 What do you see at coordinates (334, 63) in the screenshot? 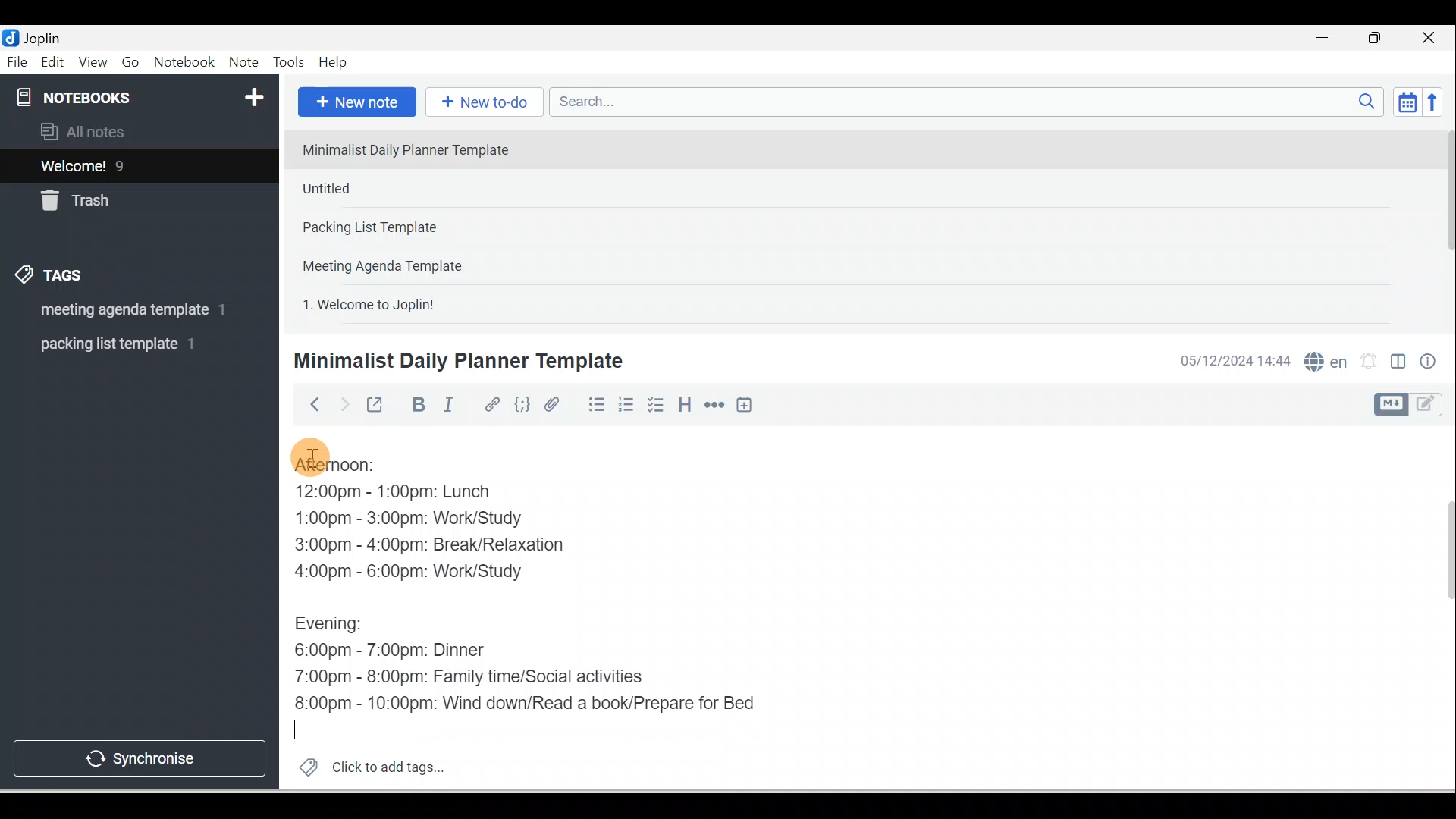
I see `Help` at bounding box center [334, 63].